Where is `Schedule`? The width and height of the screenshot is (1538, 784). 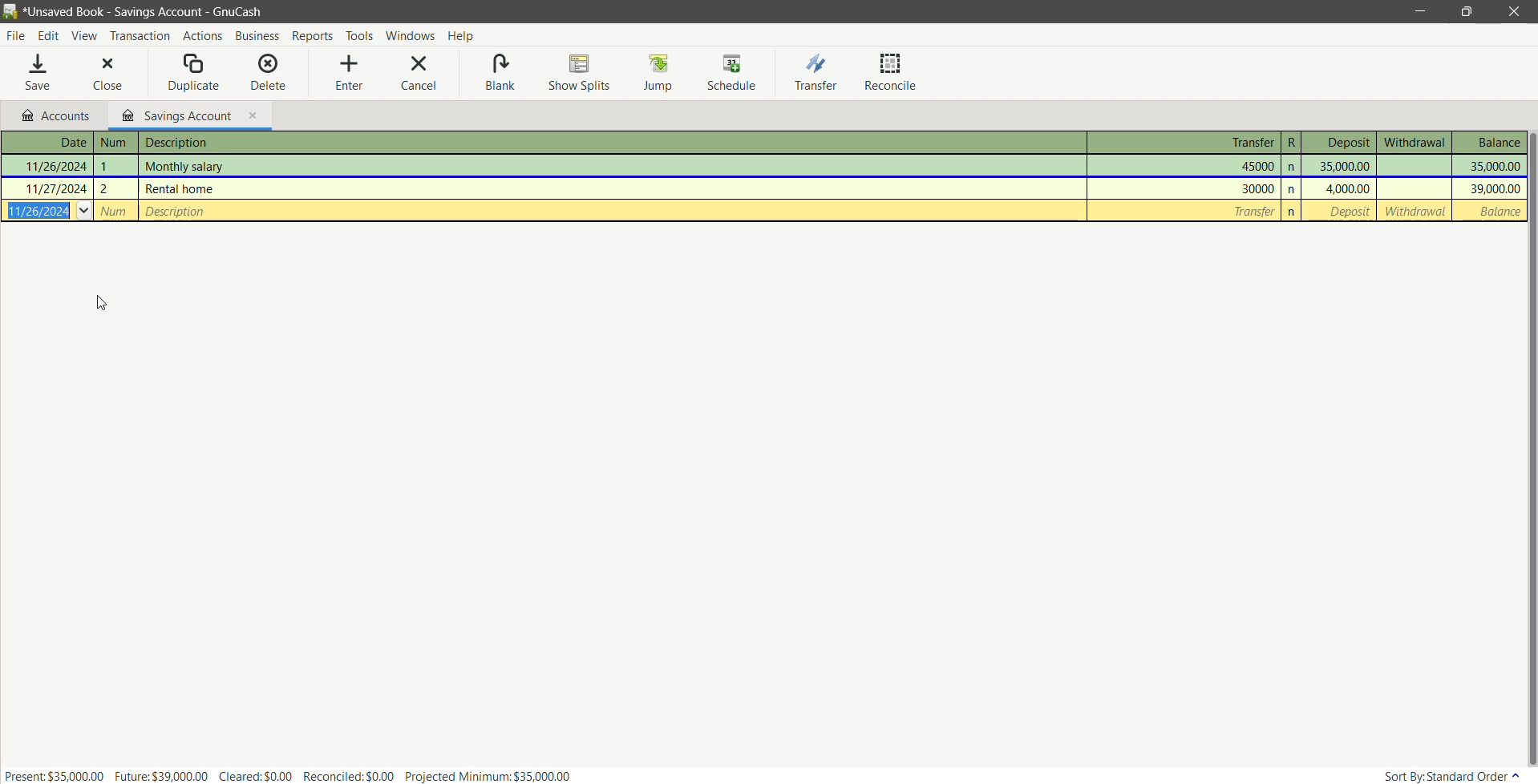 Schedule is located at coordinates (731, 73).